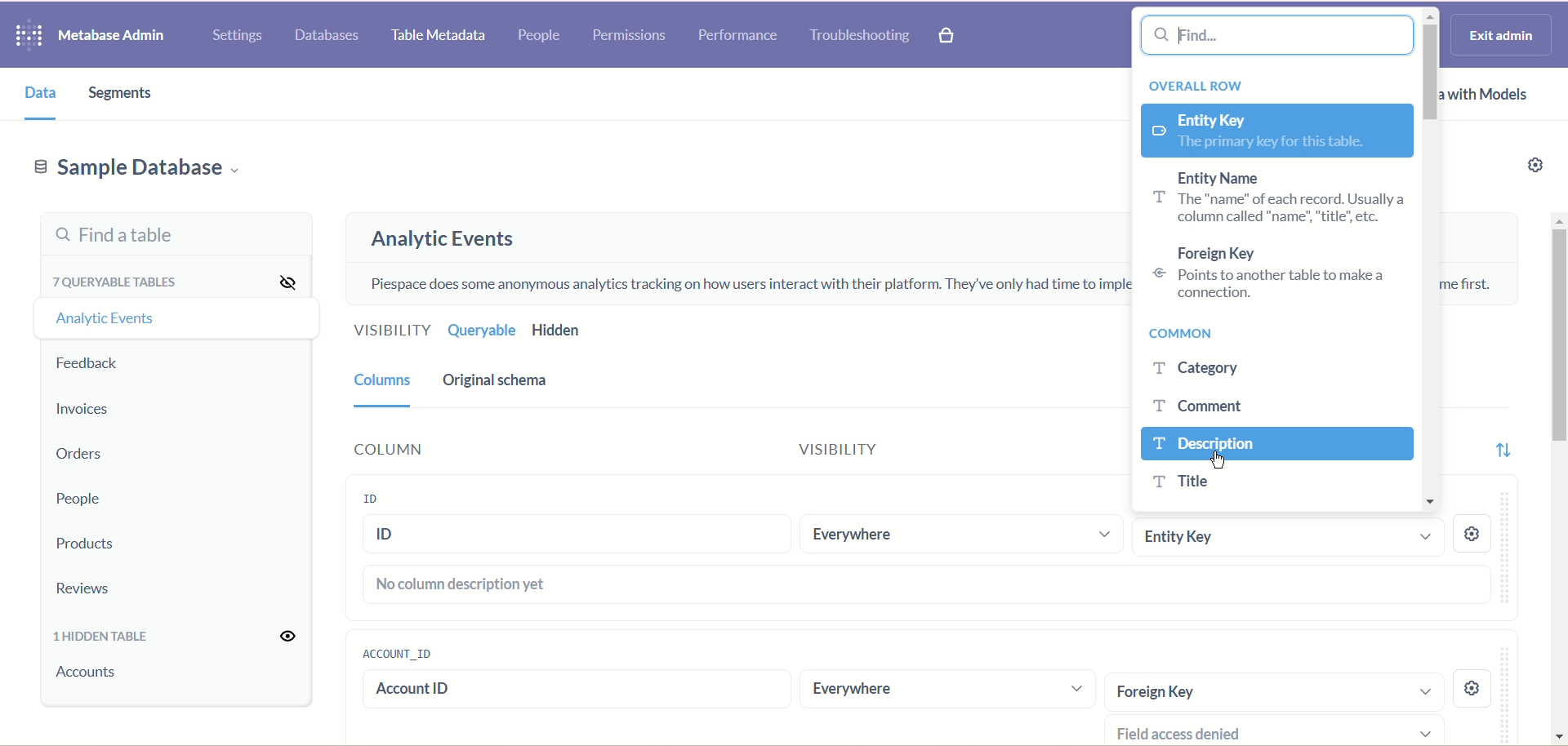  Describe the element at coordinates (292, 637) in the screenshot. I see `visibility` at that location.